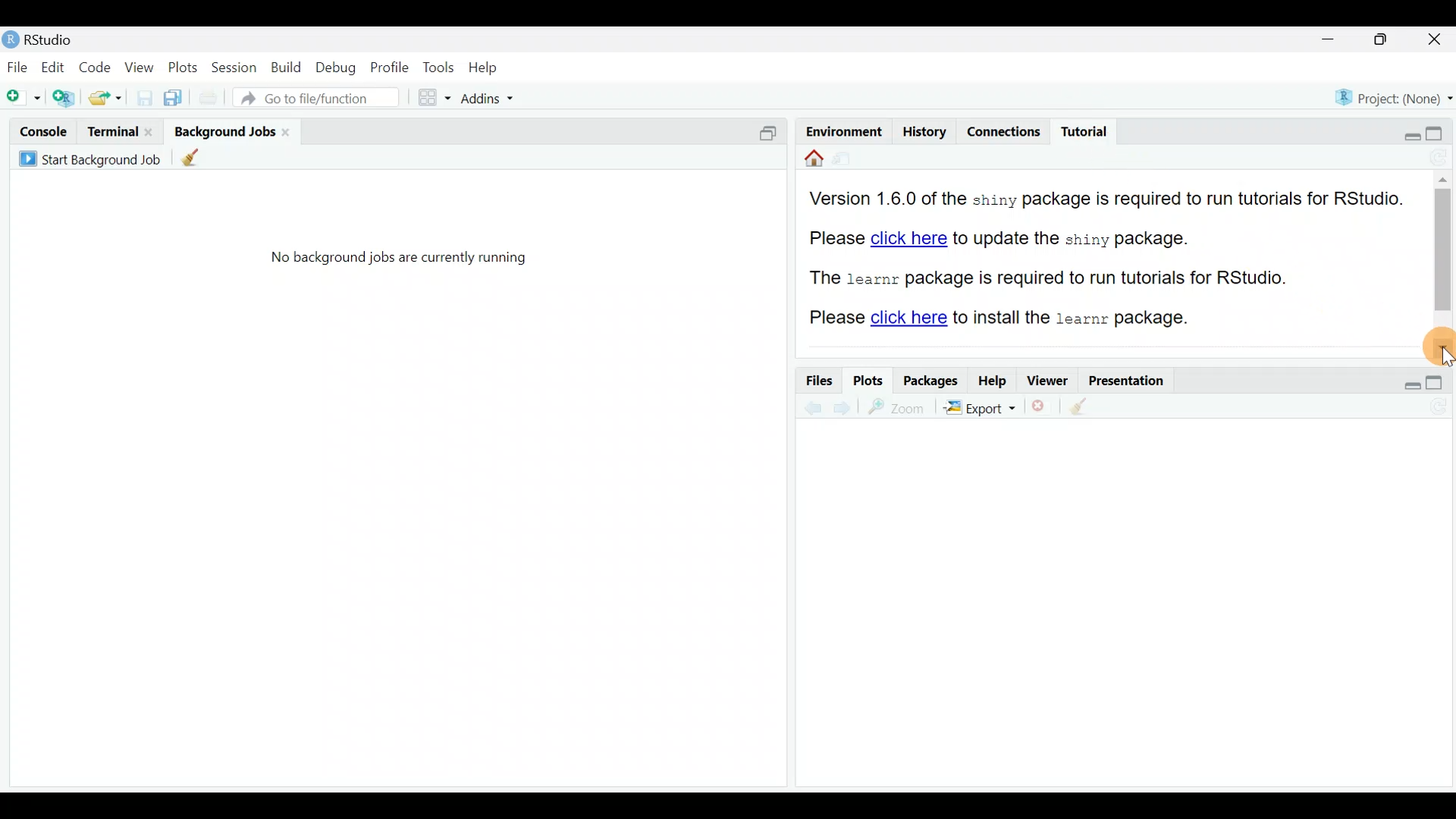  What do you see at coordinates (138, 69) in the screenshot?
I see `View` at bounding box center [138, 69].